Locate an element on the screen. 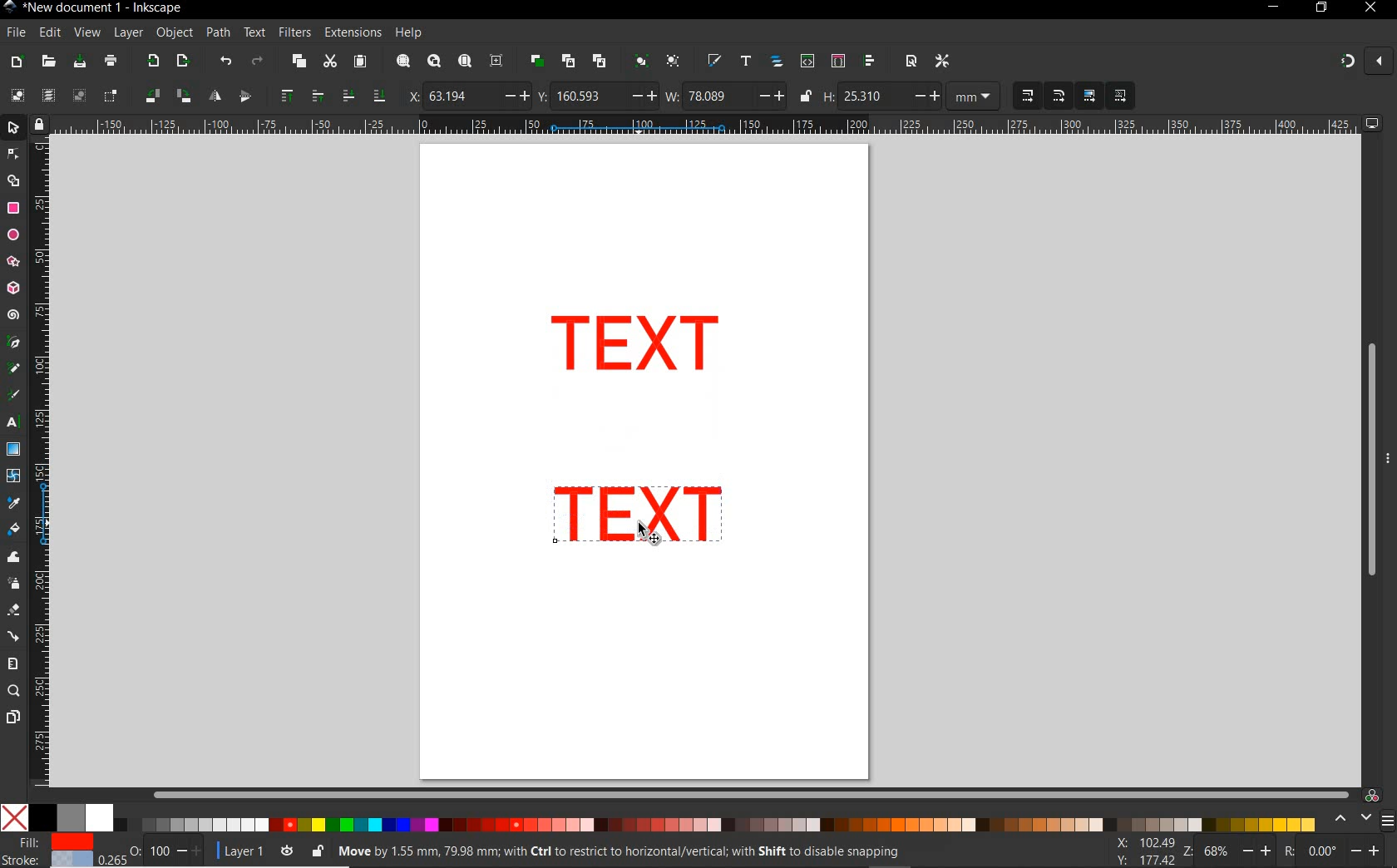 Image resolution: width=1397 pixels, height=868 pixels. measure tool is located at coordinates (13, 663).